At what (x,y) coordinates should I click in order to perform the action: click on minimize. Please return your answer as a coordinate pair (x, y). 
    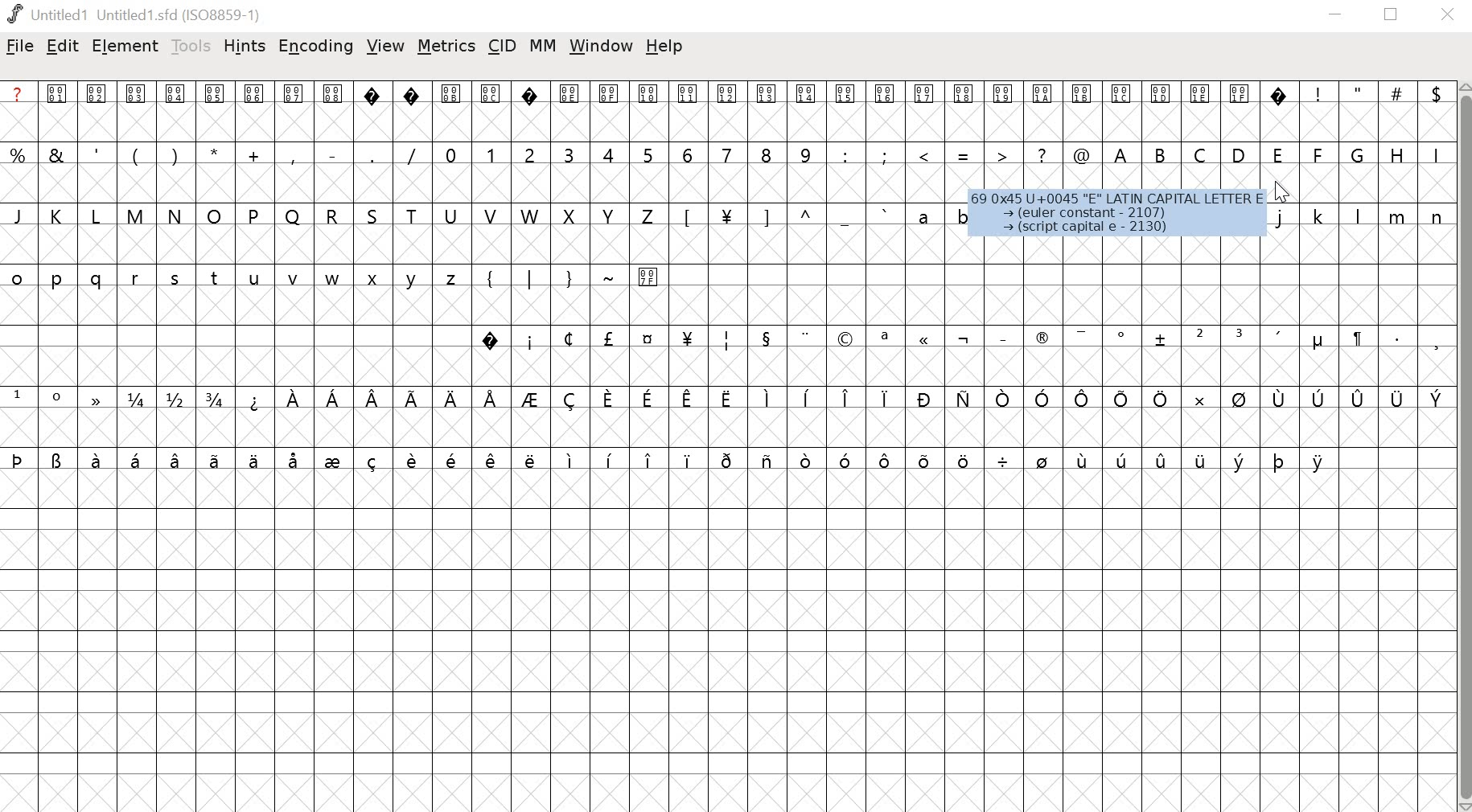
    Looking at the image, I should click on (1336, 17).